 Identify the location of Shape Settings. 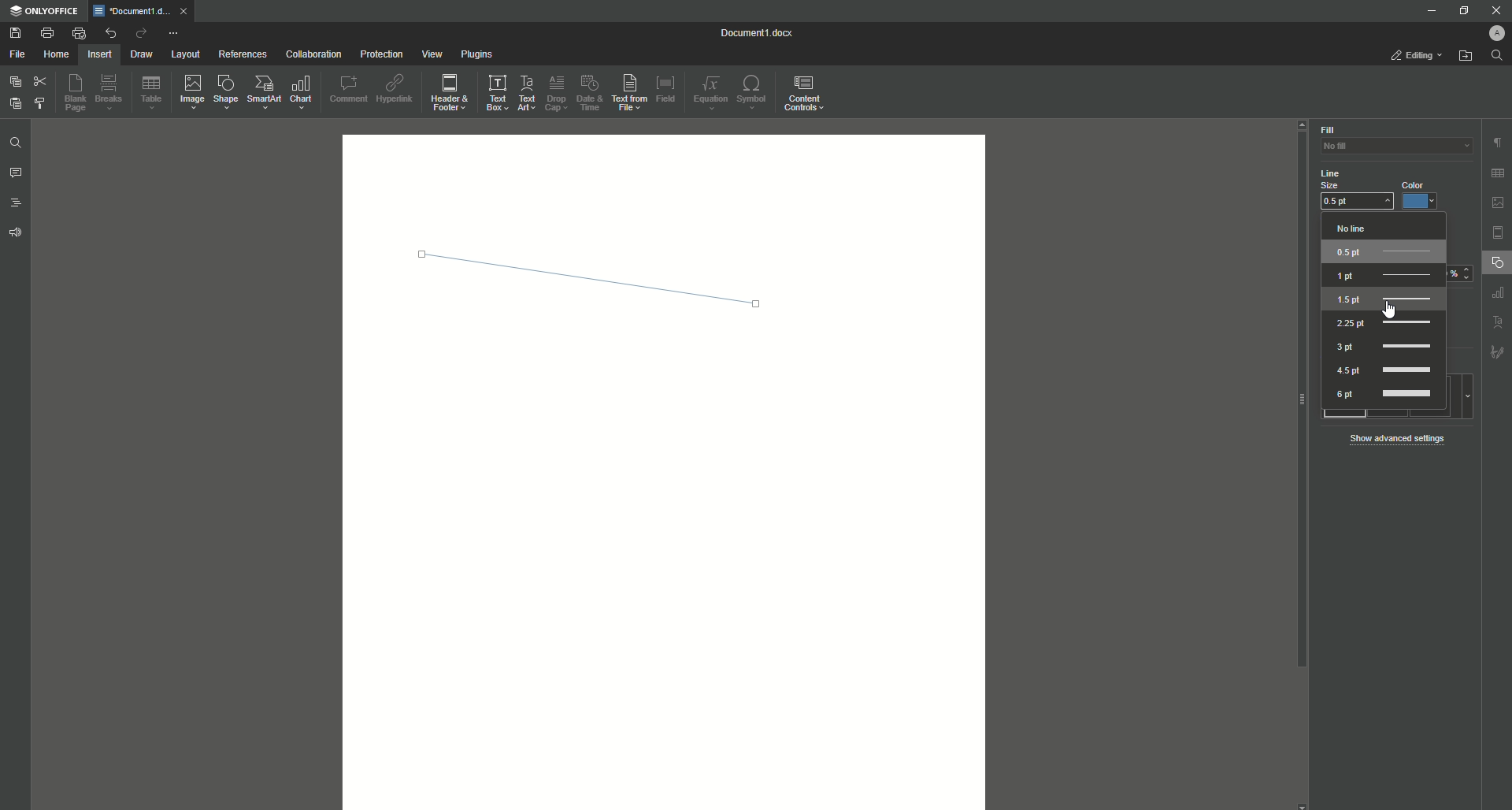
(1496, 265).